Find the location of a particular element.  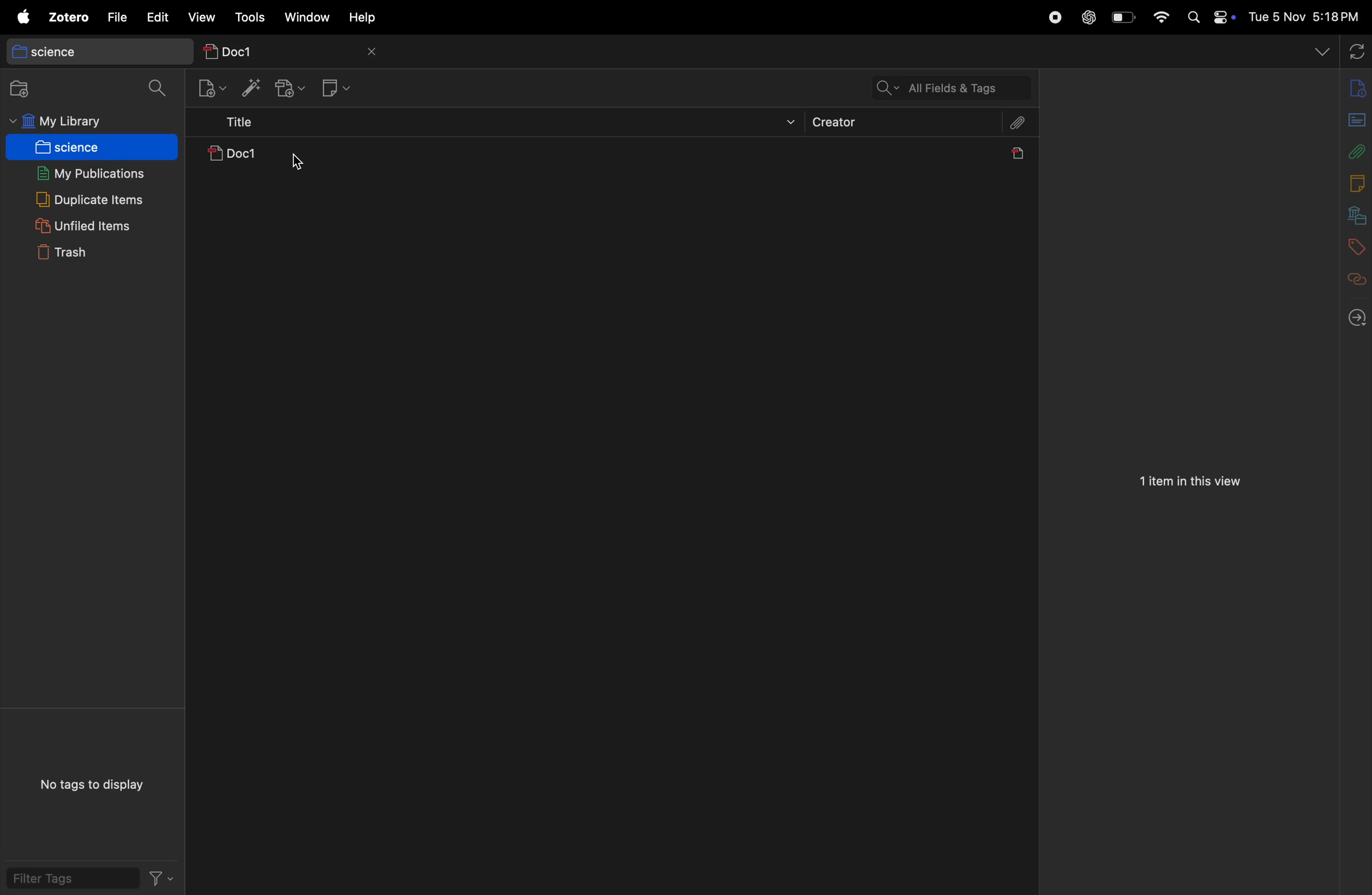

 1 item in this view is located at coordinates (1188, 483).